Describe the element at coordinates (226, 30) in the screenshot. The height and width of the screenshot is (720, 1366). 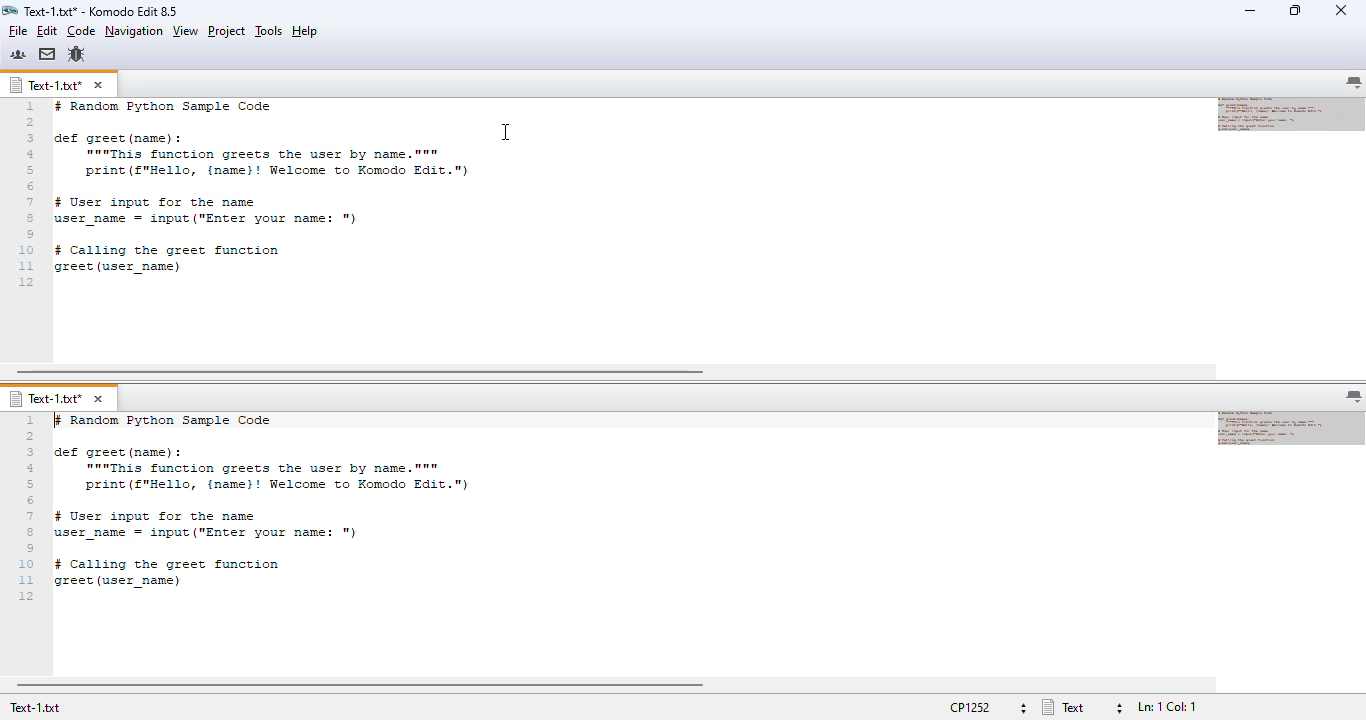
I see `project` at that location.